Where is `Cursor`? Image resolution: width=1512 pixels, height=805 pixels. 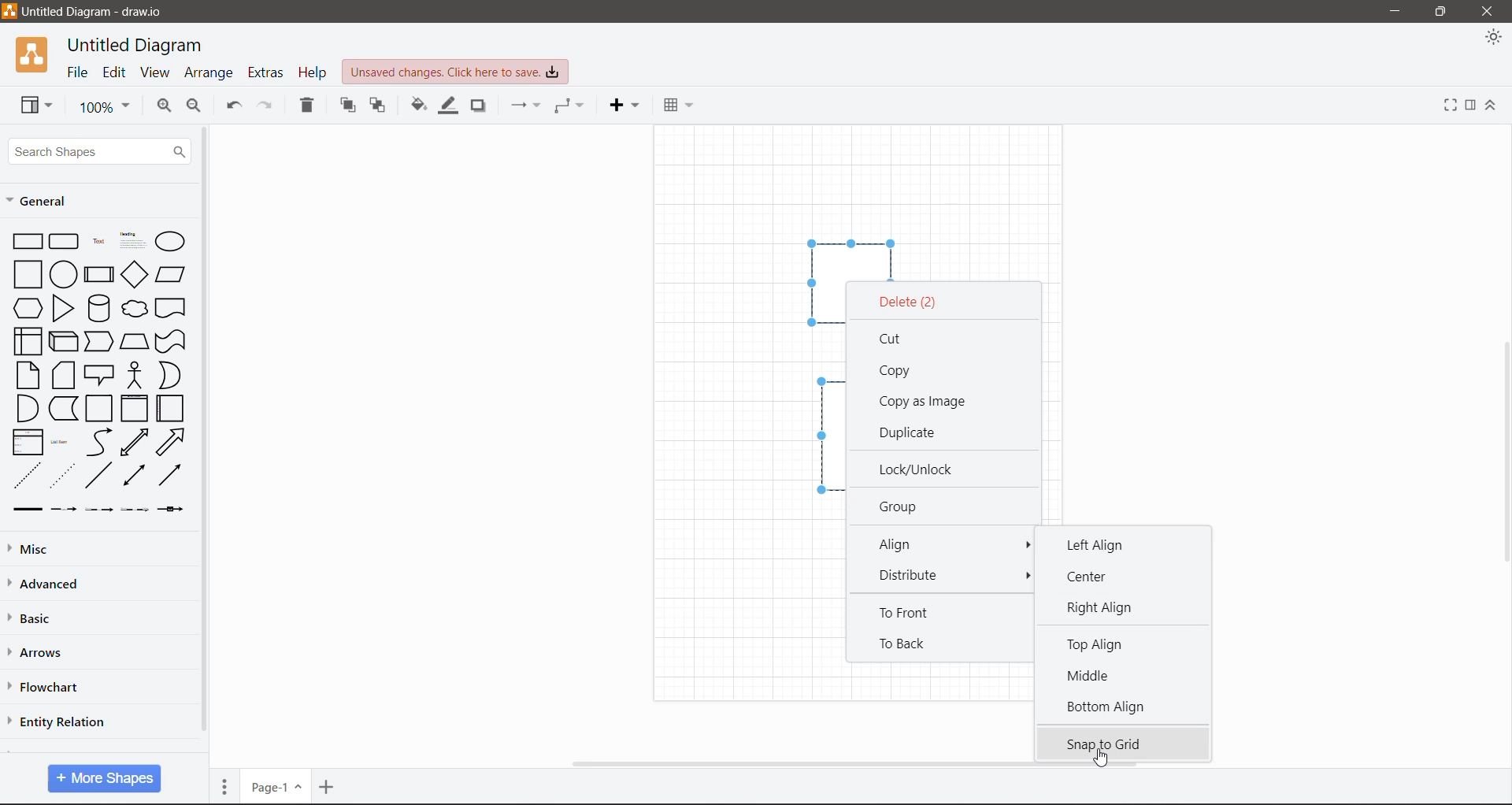 Cursor is located at coordinates (1102, 758).